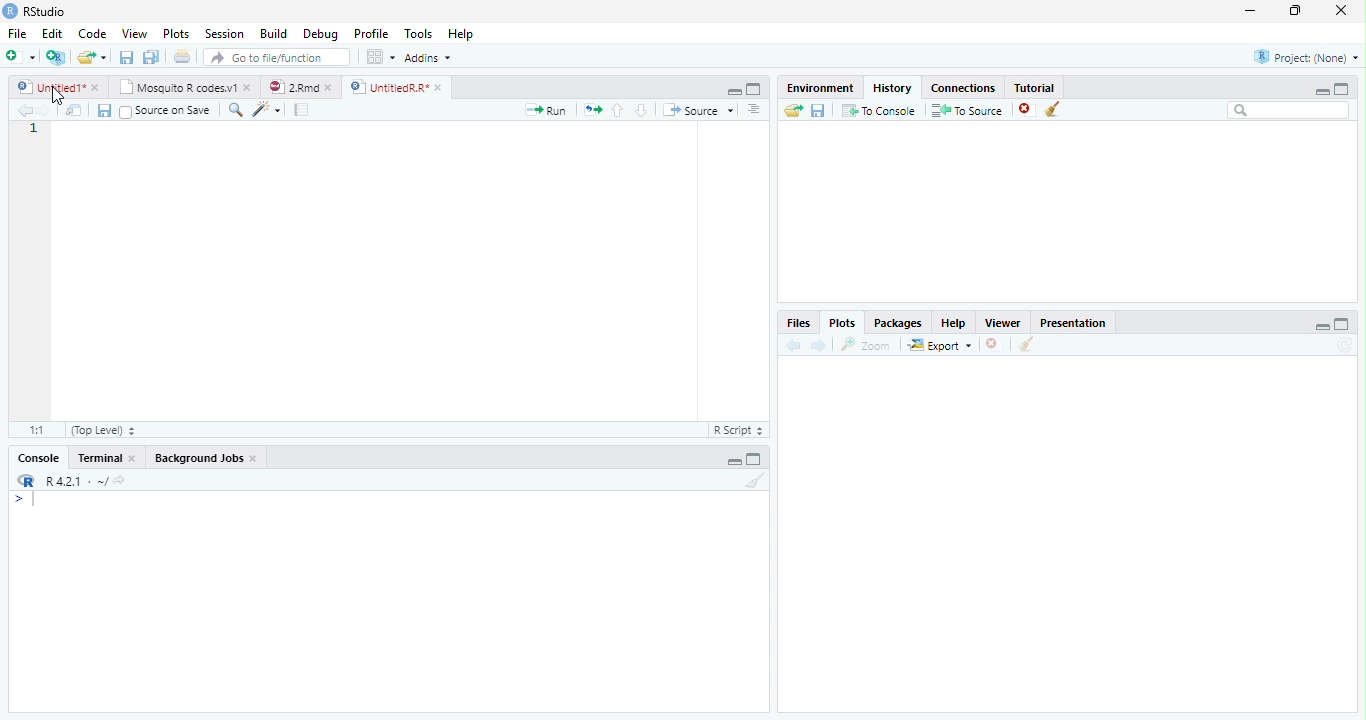 The image size is (1366, 720). What do you see at coordinates (996, 344) in the screenshot?
I see `Remove current plot` at bounding box center [996, 344].